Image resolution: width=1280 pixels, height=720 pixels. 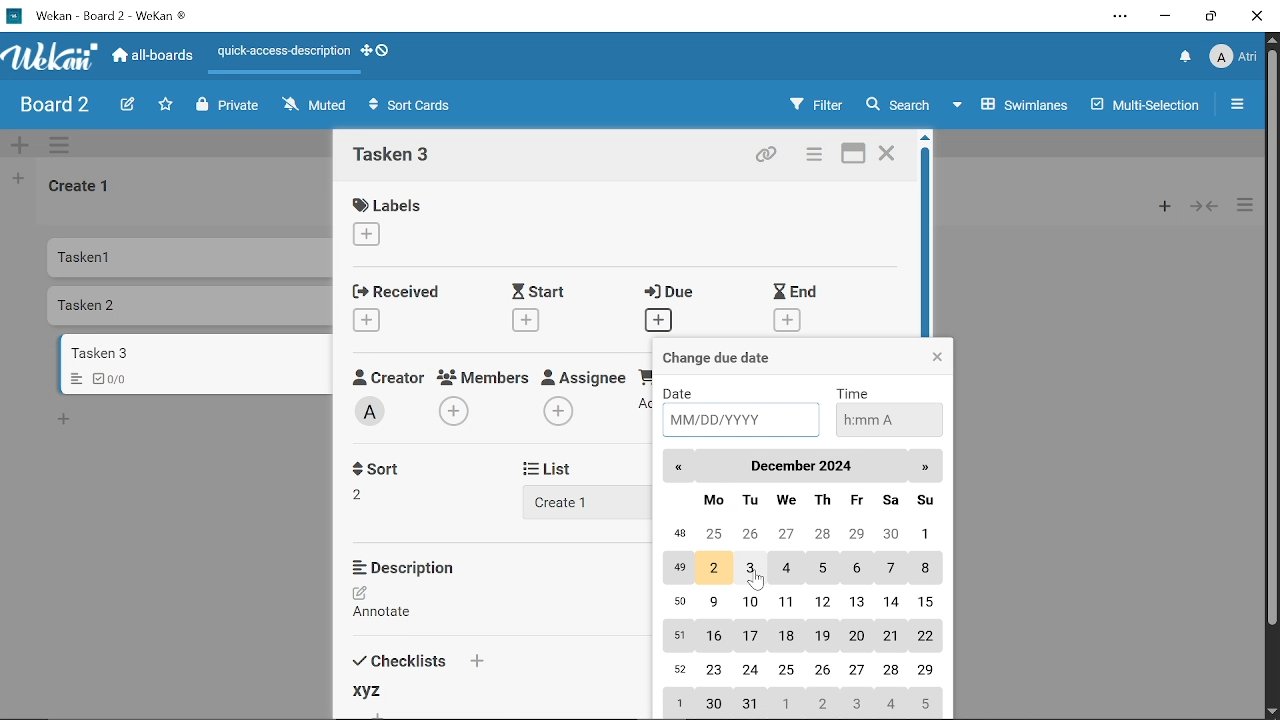 What do you see at coordinates (22, 145) in the screenshot?
I see `Add swimlane` at bounding box center [22, 145].